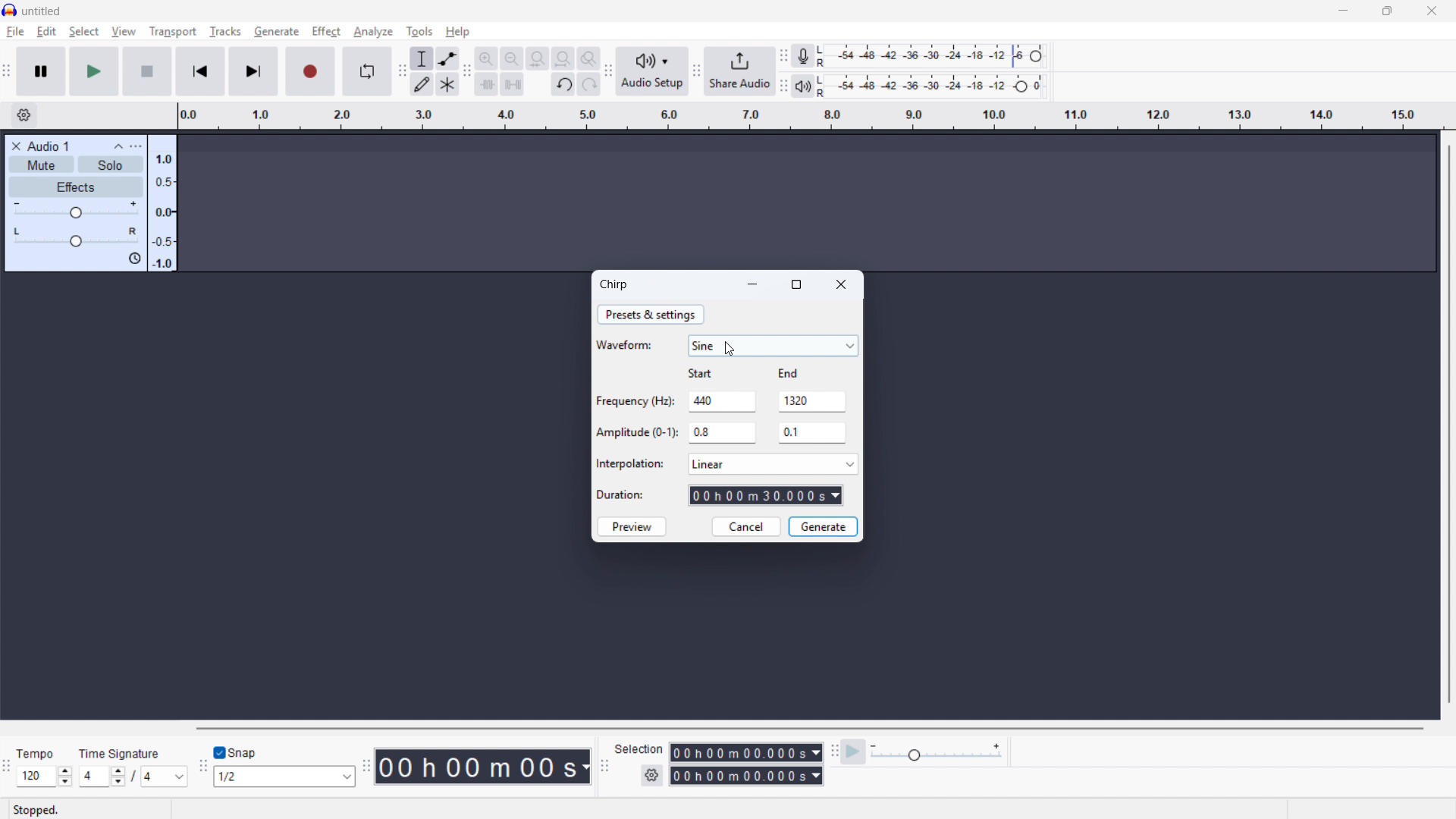 Image resolution: width=1456 pixels, height=819 pixels. What do you see at coordinates (401, 72) in the screenshot?
I see `Tools toolbar ` at bounding box center [401, 72].